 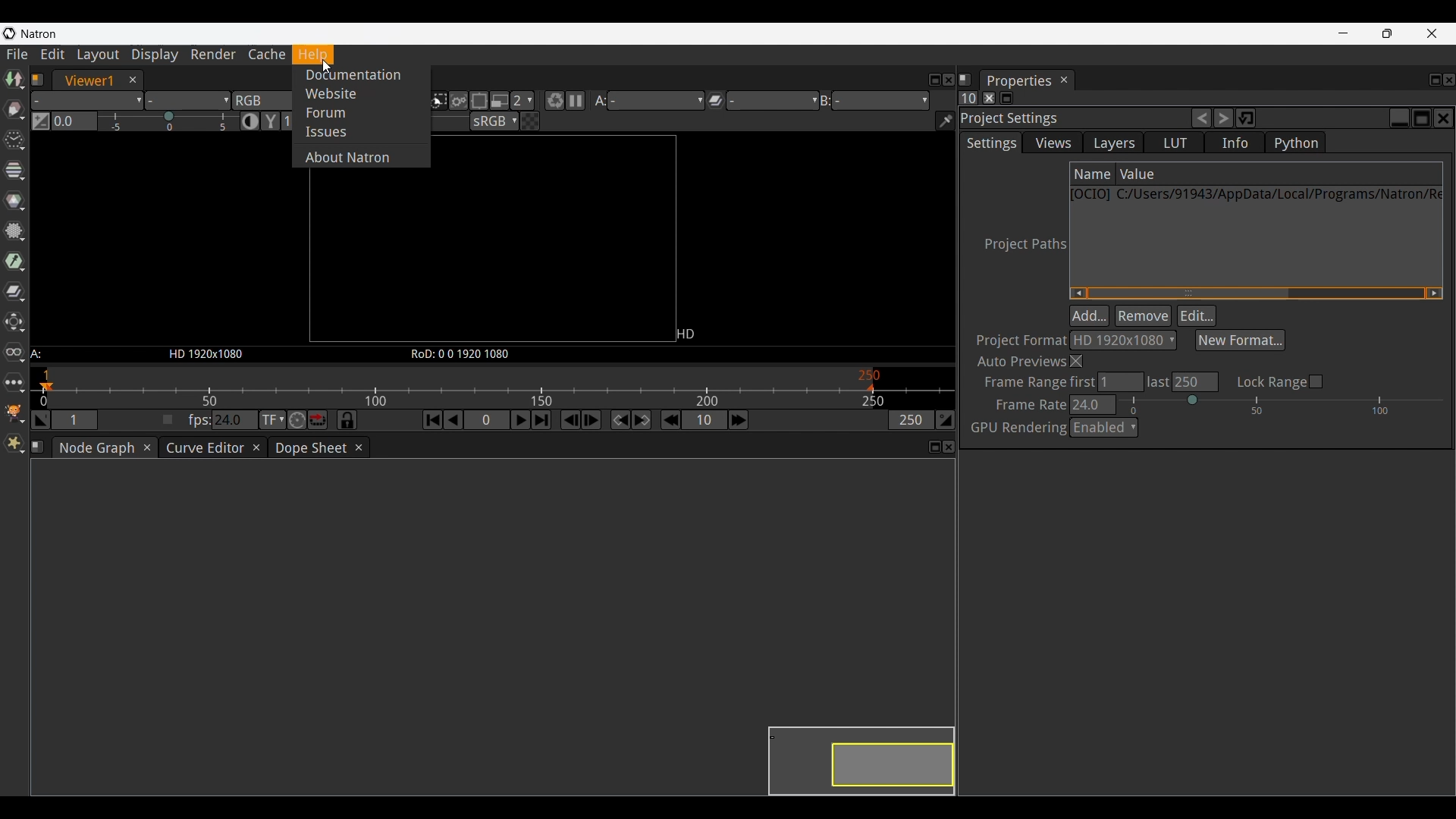 What do you see at coordinates (14, 231) in the screenshot?
I see `Filter options` at bounding box center [14, 231].